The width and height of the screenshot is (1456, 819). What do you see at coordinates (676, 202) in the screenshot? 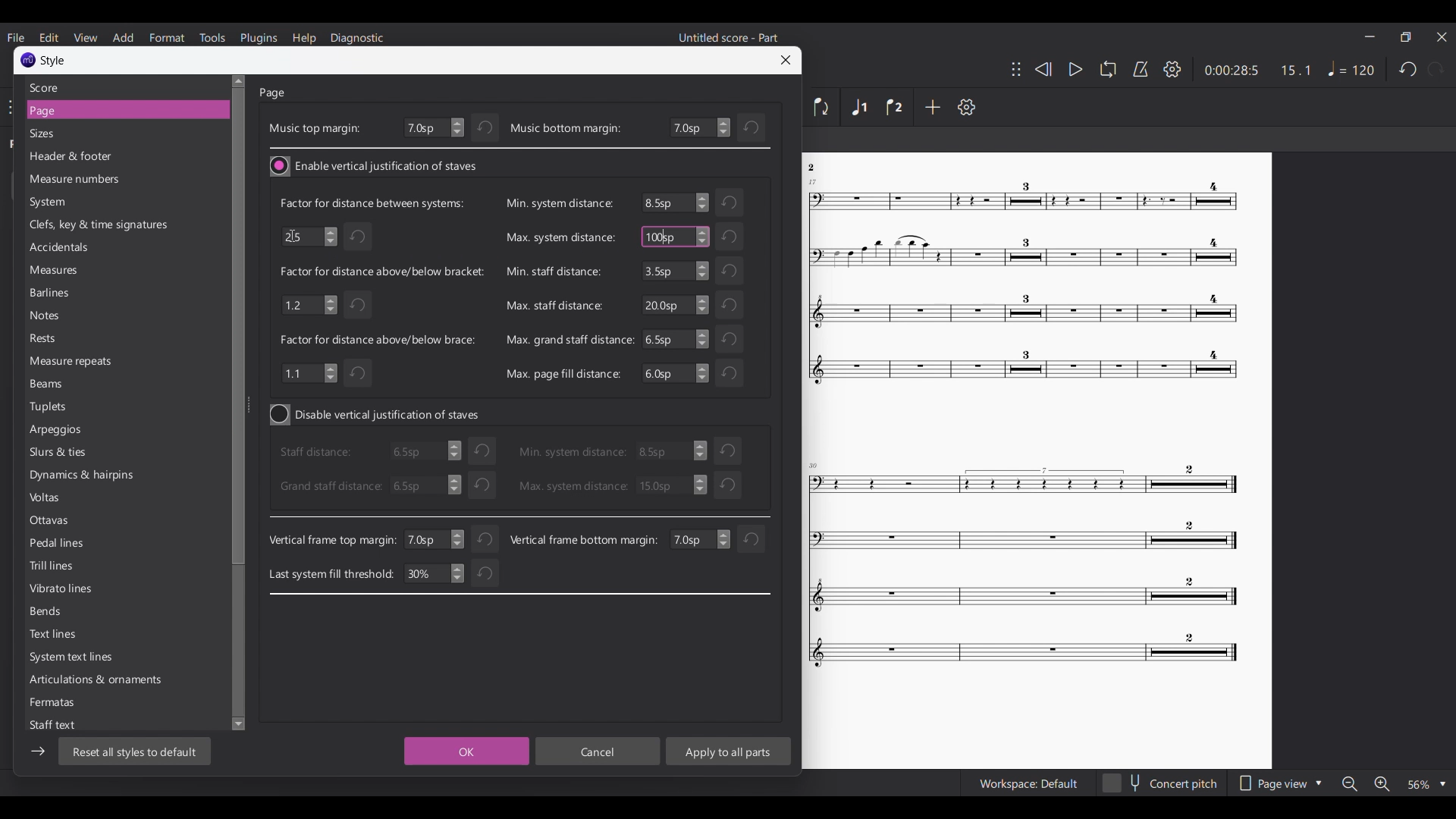
I see `6.5sp` at bounding box center [676, 202].